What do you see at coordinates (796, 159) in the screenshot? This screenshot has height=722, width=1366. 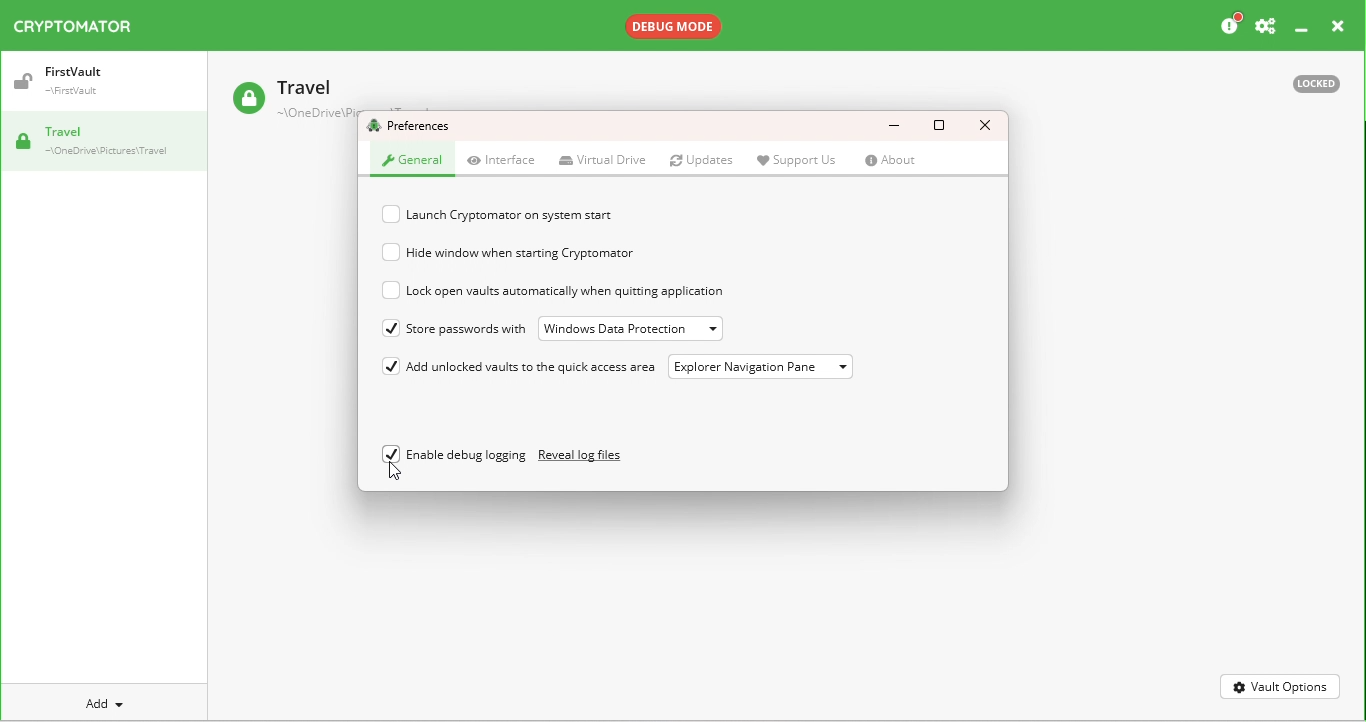 I see `Support us` at bounding box center [796, 159].